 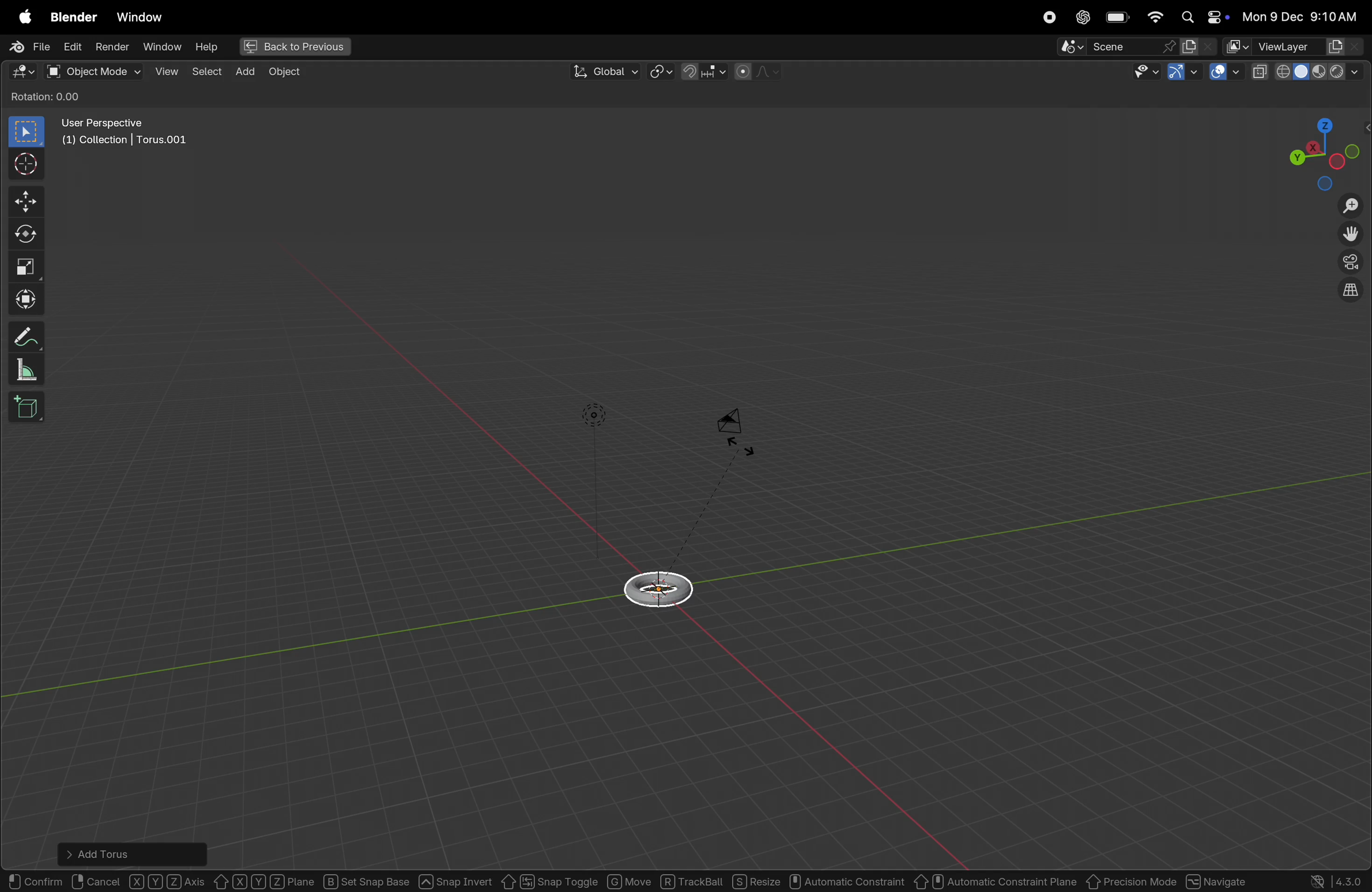 What do you see at coordinates (1351, 263) in the screenshot?
I see `view point camera` at bounding box center [1351, 263].